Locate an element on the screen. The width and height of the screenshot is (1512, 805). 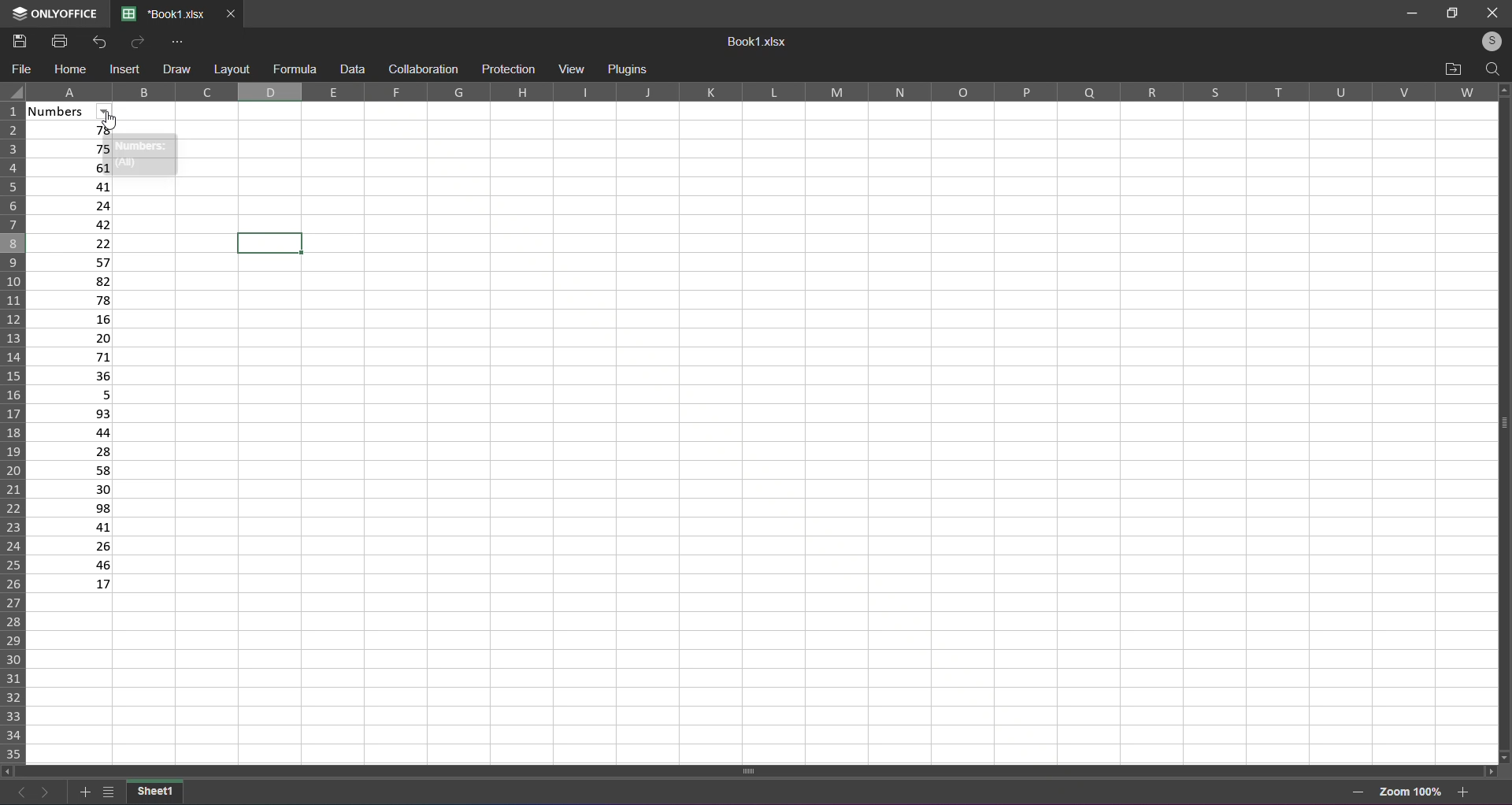
Numbers (all) is located at coordinates (143, 155).